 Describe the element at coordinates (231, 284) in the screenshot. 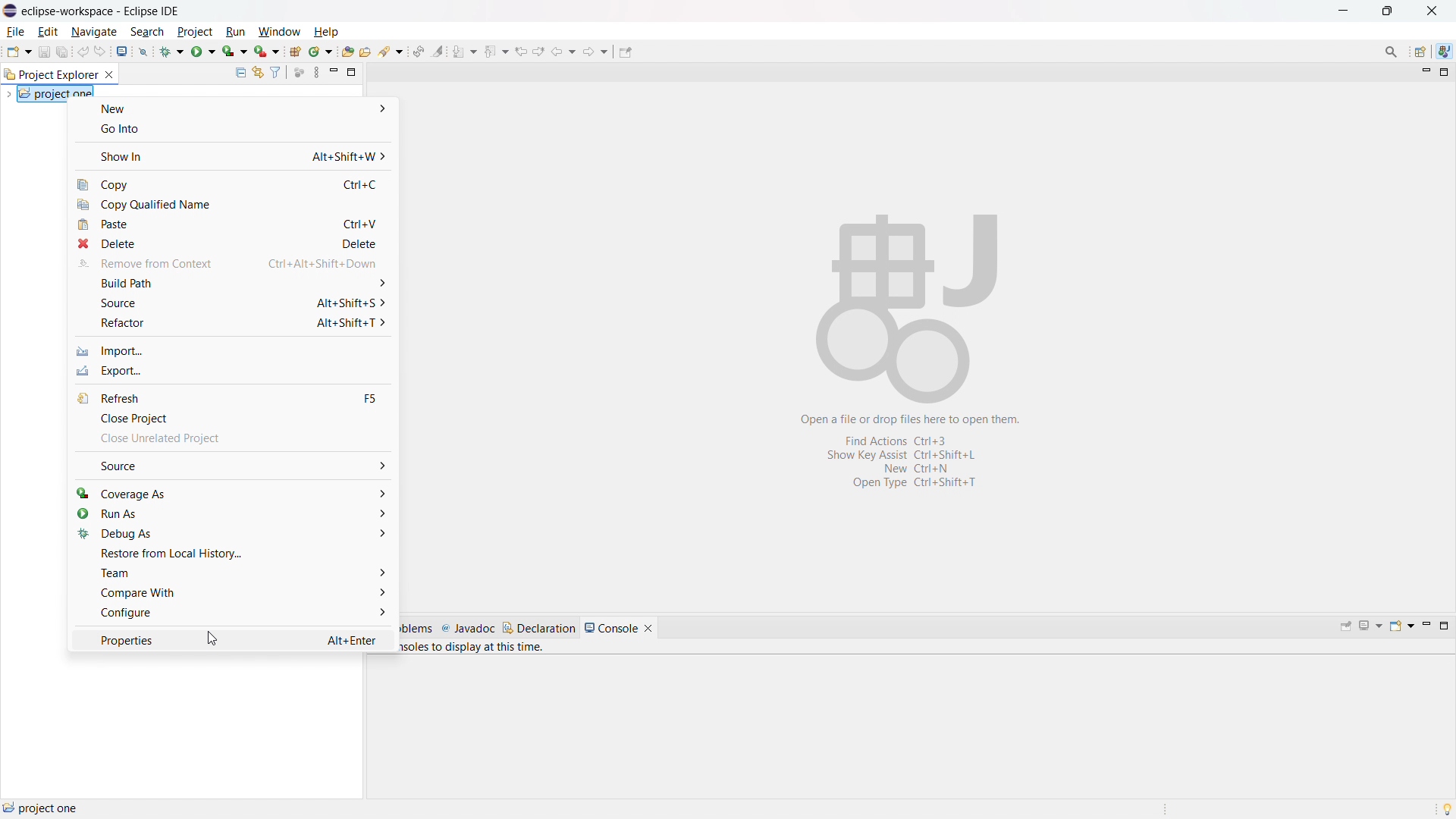

I see `build path` at that location.